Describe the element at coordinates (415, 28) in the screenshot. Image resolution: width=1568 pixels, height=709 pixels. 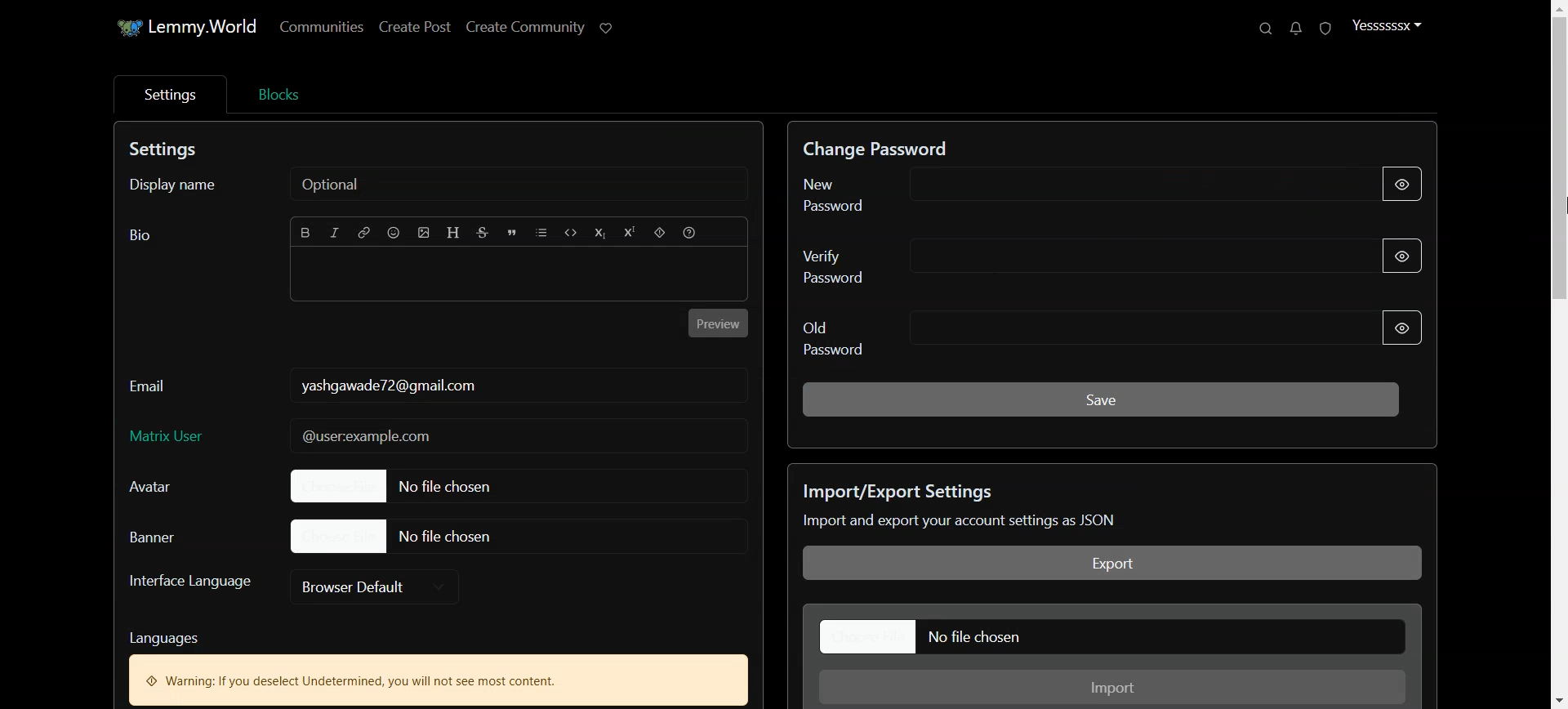
I see `Create Post` at that location.